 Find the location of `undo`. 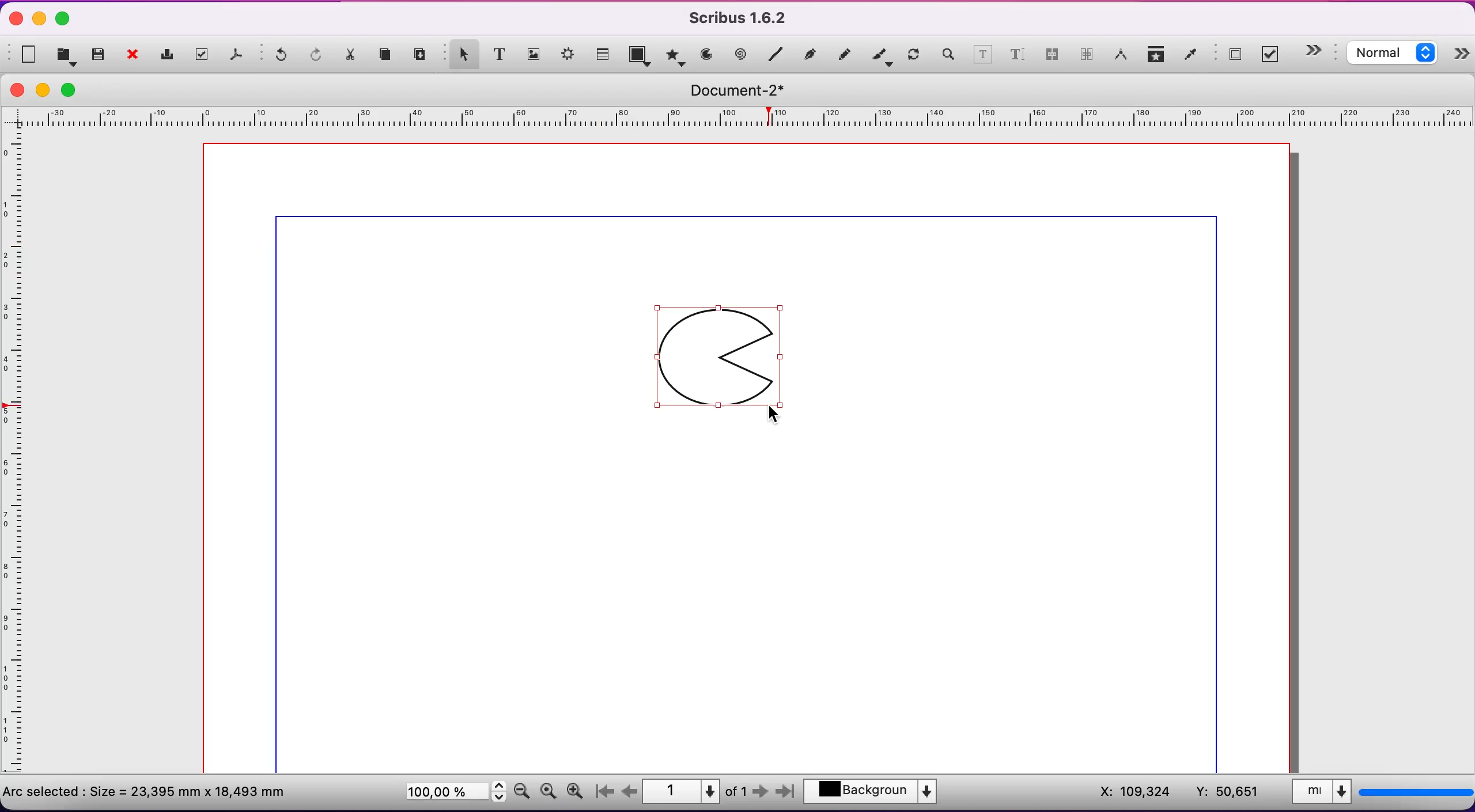

undo is located at coordinates (277, 58).